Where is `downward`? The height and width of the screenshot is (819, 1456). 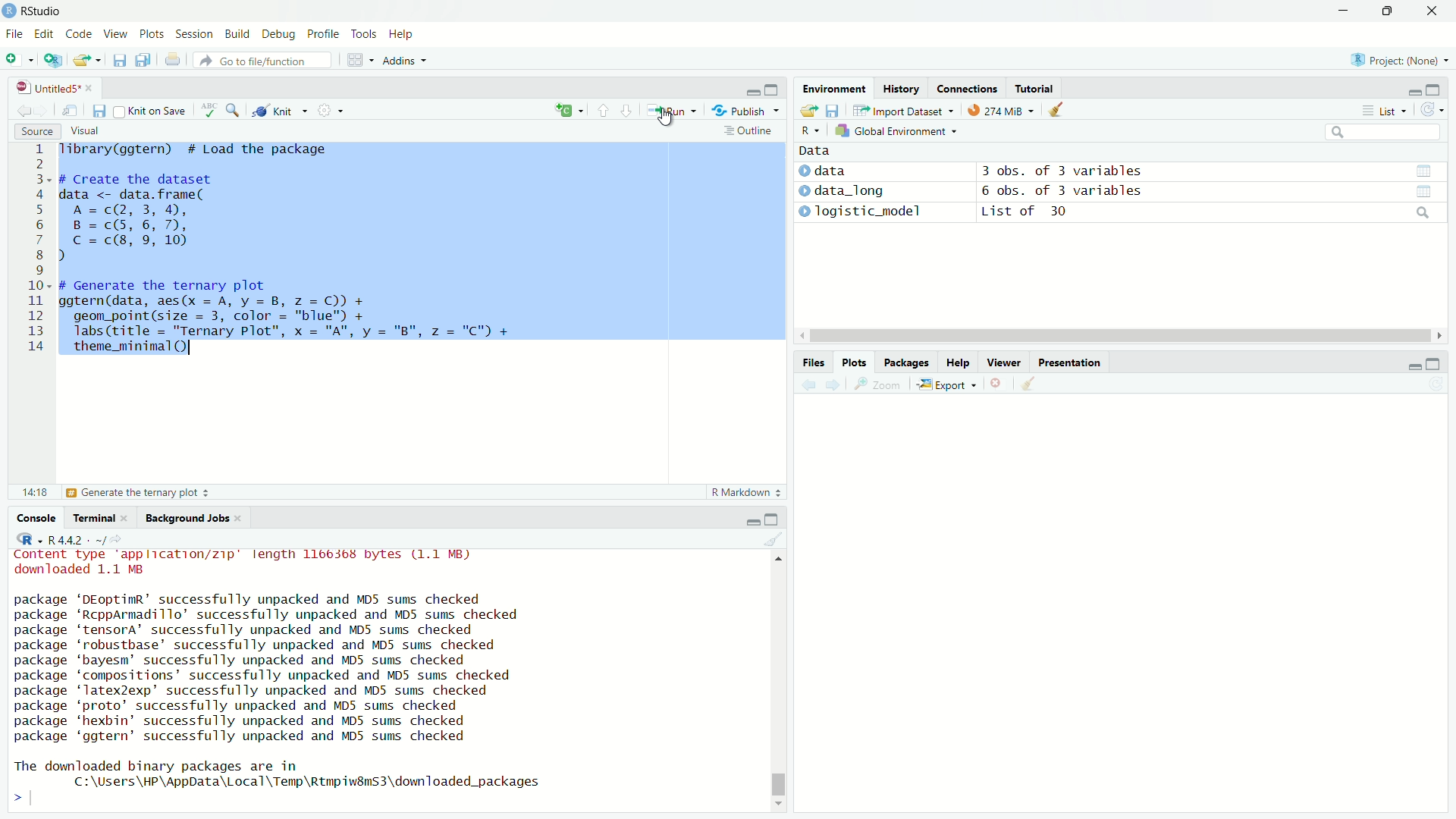 downward is located at coordinates (629, 111).